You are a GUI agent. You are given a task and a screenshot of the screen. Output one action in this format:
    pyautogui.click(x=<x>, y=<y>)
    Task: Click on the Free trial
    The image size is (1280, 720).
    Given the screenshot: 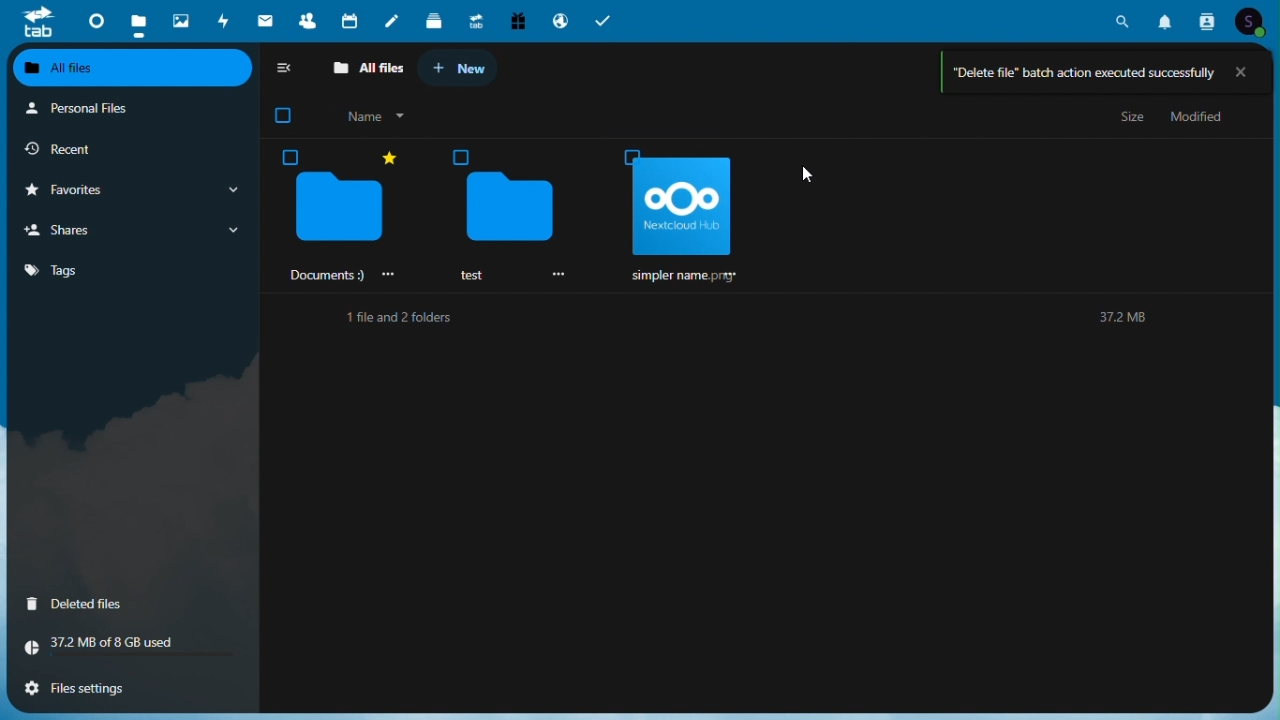 What is the action you would take?
    pyautogui.click(x=516, y=19)
    